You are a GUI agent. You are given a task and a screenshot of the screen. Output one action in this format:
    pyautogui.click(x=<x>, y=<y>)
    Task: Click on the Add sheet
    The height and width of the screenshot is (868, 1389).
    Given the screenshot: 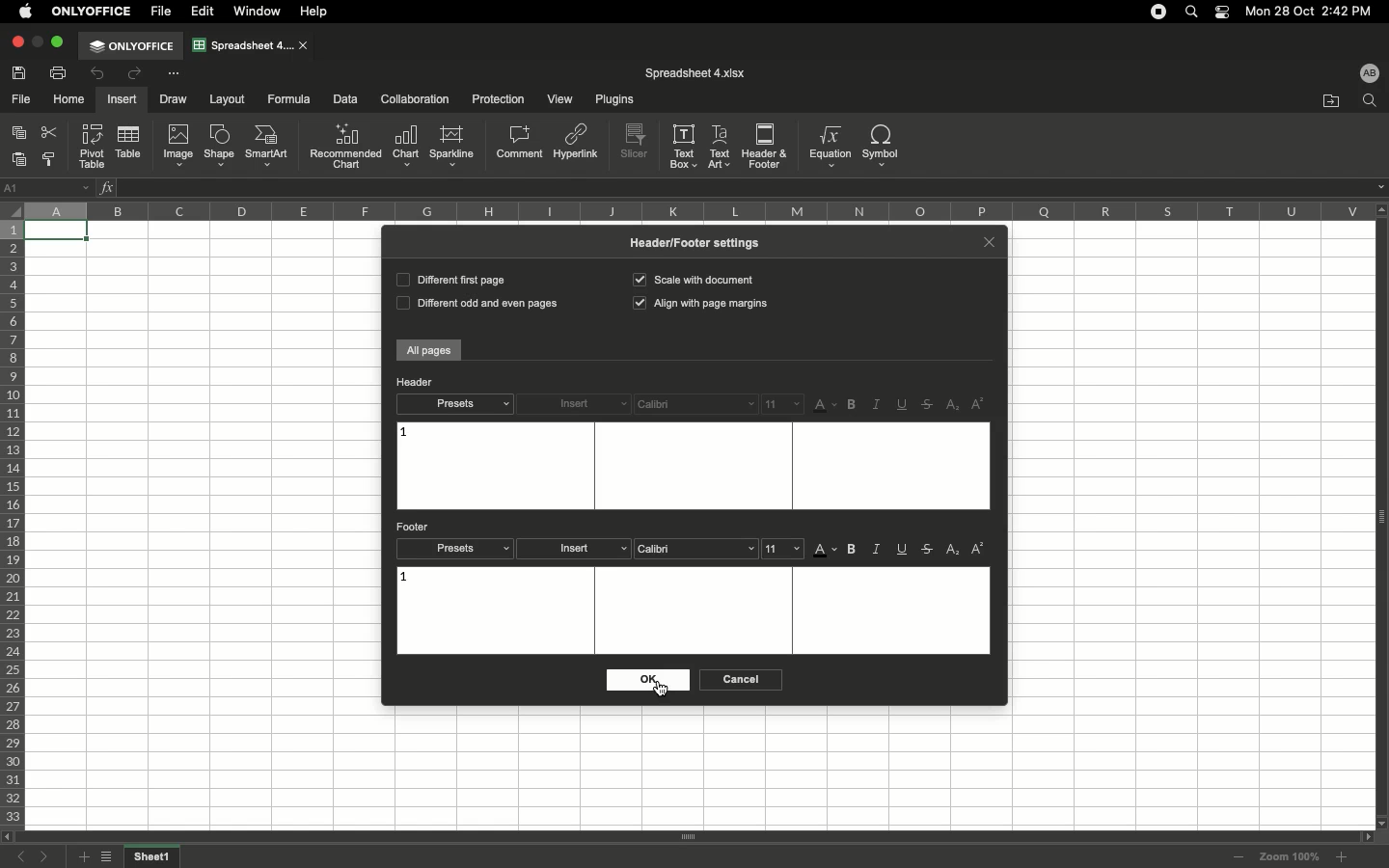 What is the action you would take?
    pyautogui.click(x=82, y=857)
    